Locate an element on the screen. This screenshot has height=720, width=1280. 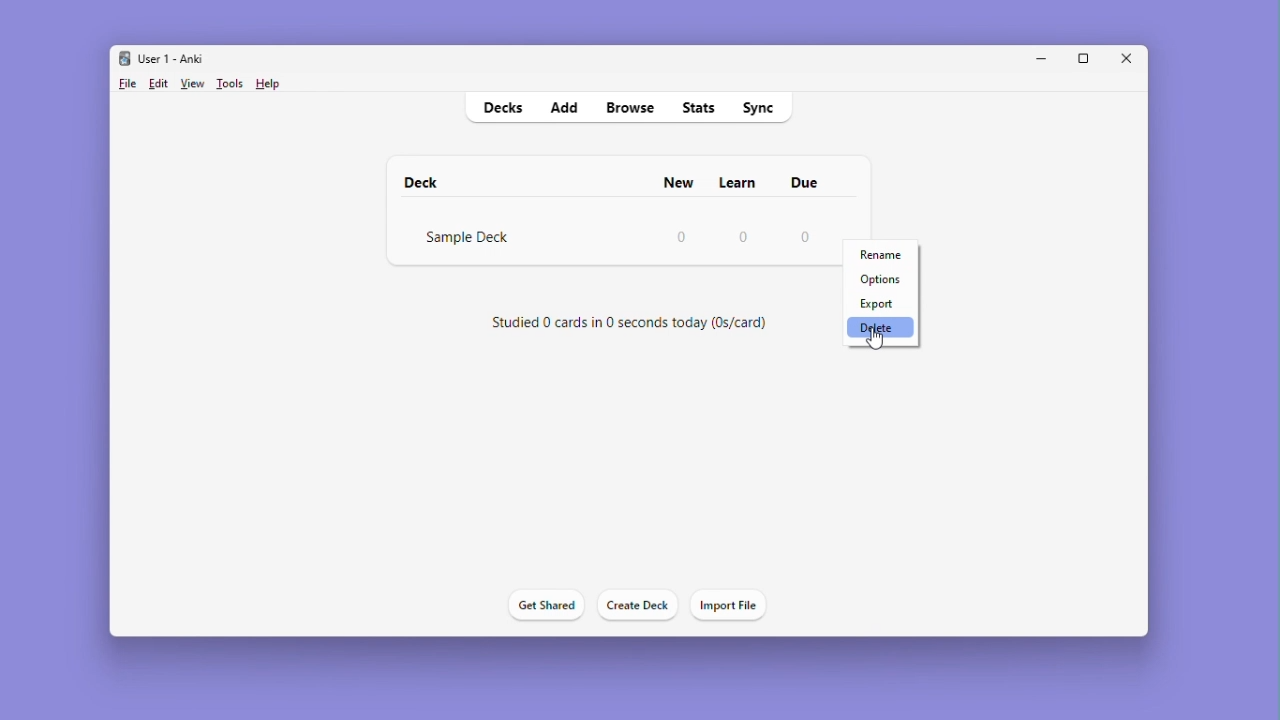
Stats is located at coordinates (701, 107).